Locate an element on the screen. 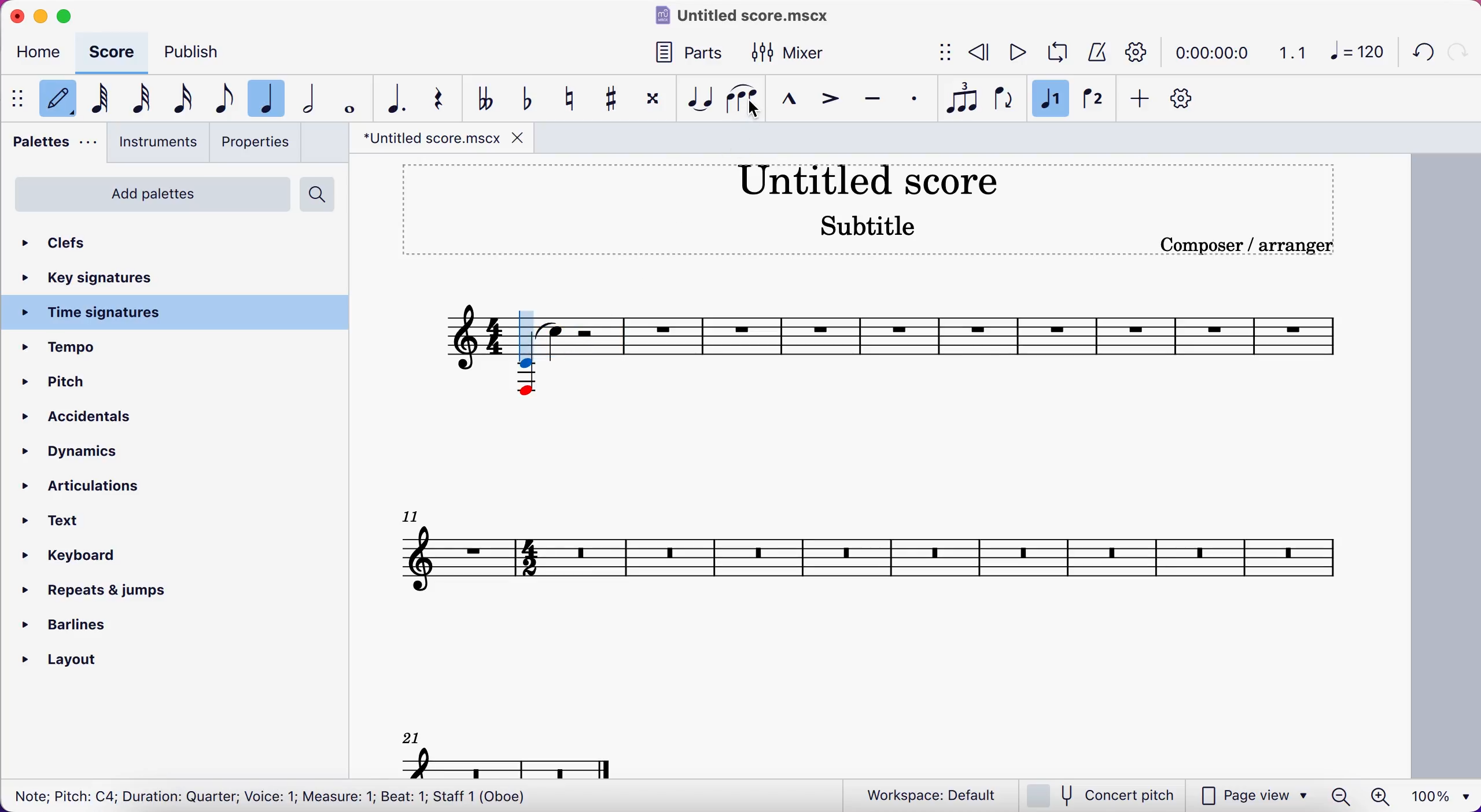 The image size is (1481, 812). add palettes is located at coordinates (153, 196).